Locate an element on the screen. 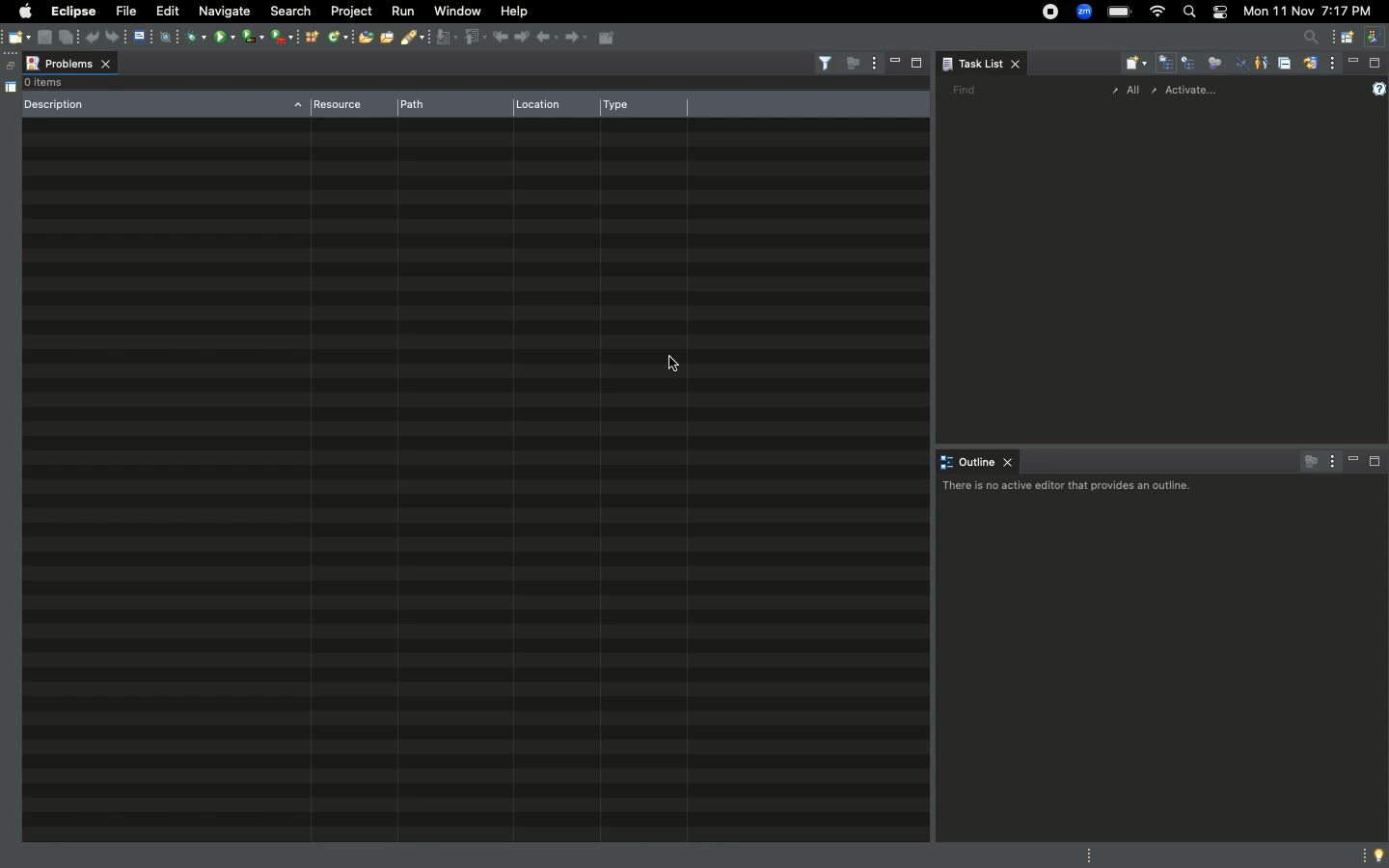  Zoom is located at coordinates (1084, 12).